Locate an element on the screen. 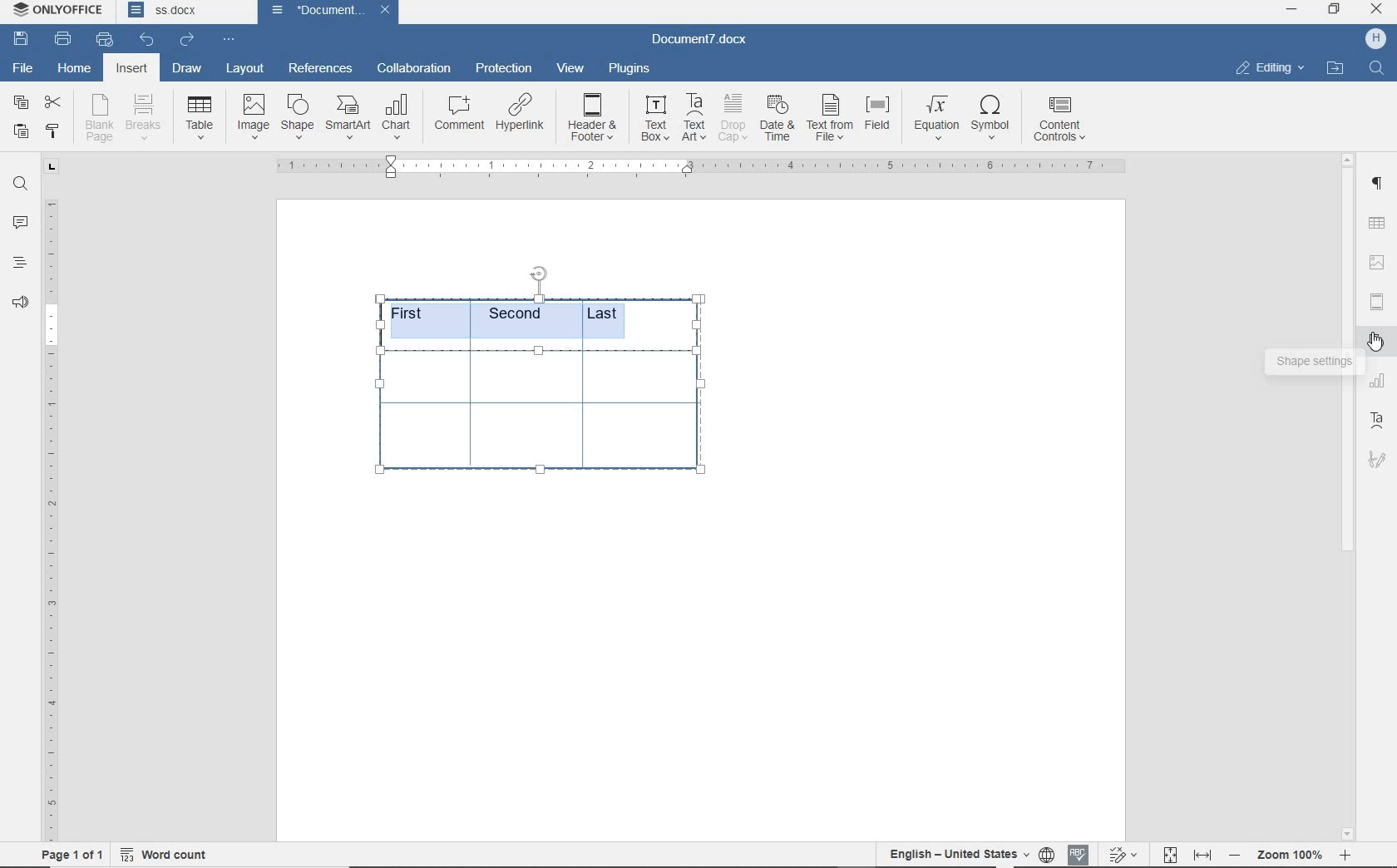  ruler is located at coordinates (697, 167).